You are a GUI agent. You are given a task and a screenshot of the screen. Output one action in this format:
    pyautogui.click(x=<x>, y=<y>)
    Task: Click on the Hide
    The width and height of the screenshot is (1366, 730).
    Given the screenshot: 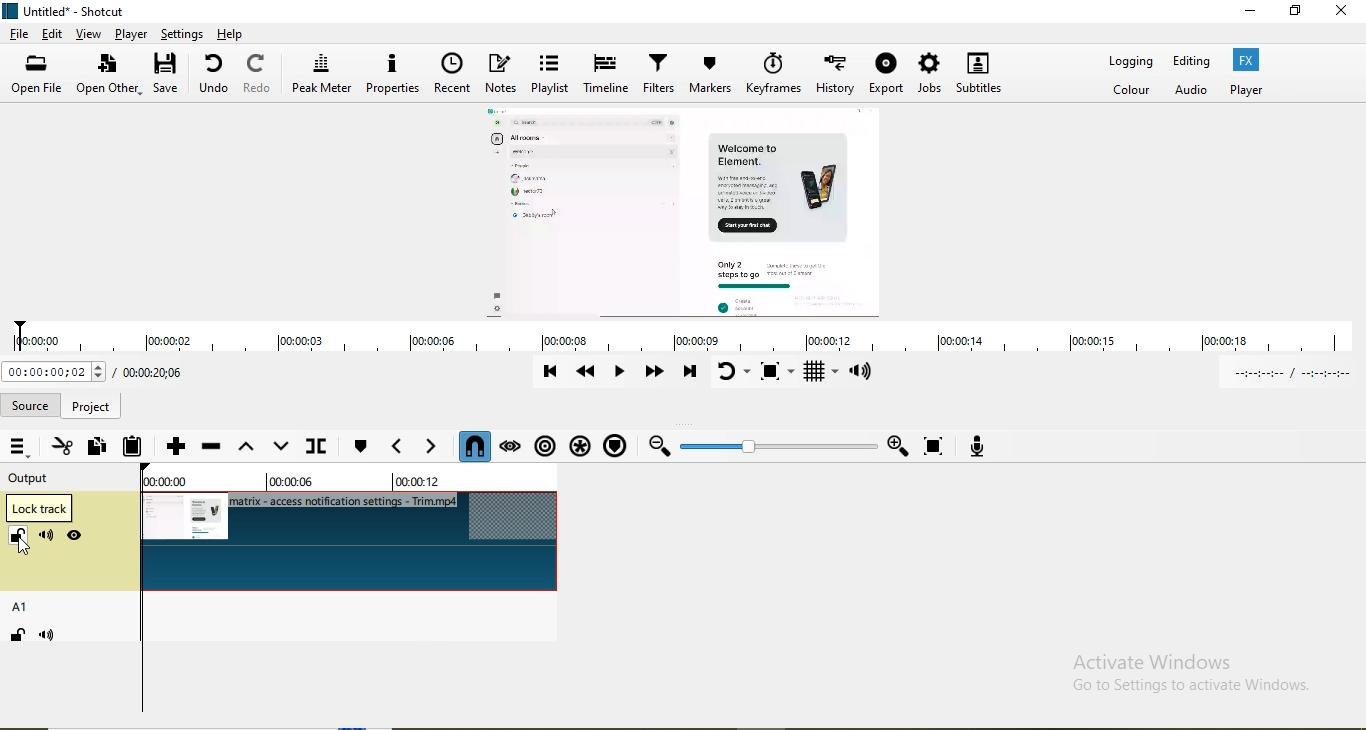 What is the action you would take?
    pyautogui.click(x=77, y=536)
    